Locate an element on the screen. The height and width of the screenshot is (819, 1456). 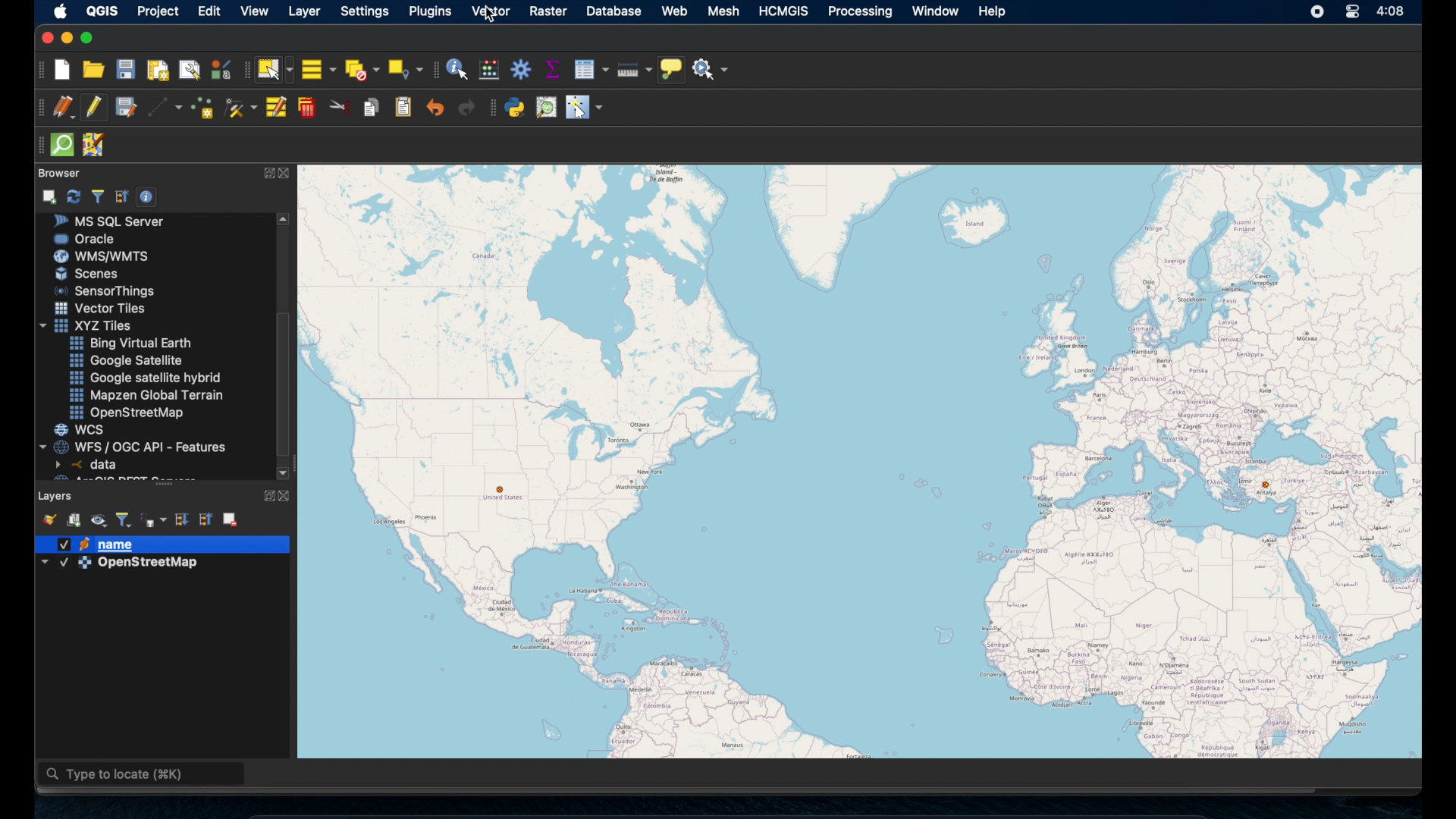
enable/disable properties widget is located at coordinates (149, 197).